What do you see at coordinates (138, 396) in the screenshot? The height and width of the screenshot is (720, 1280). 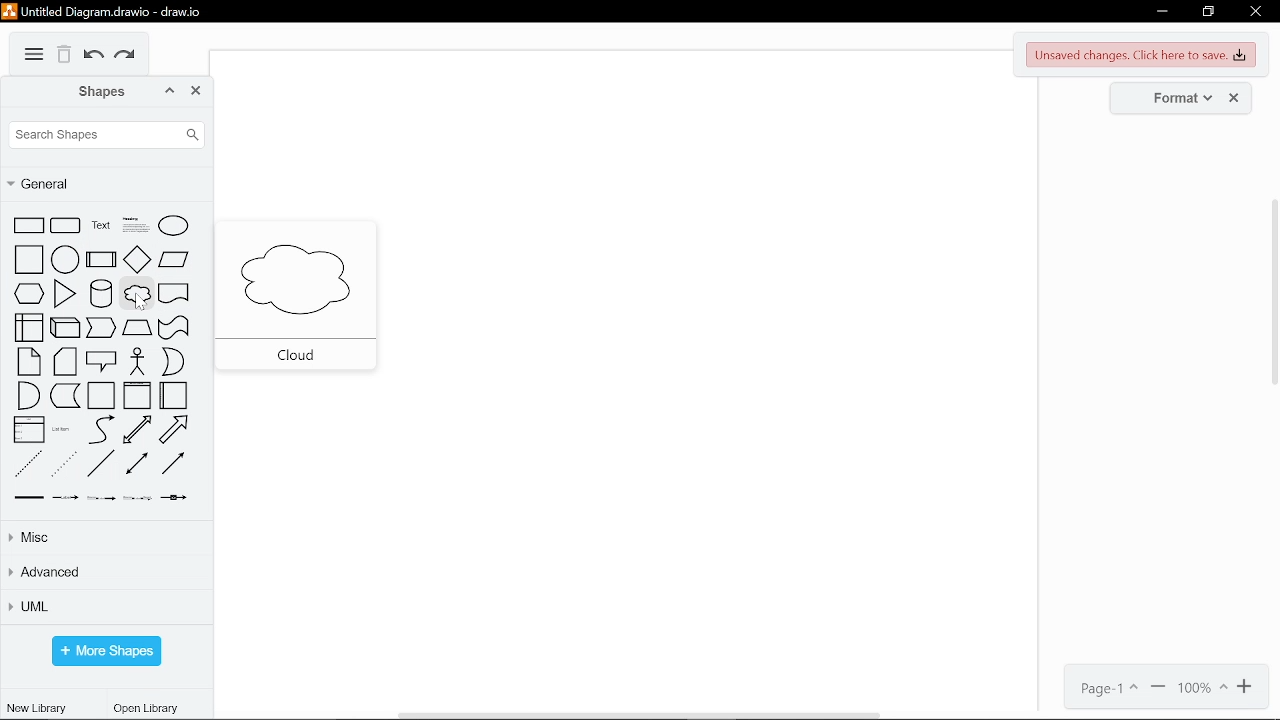 I see `vertical container` at bounding box center [138, 396].